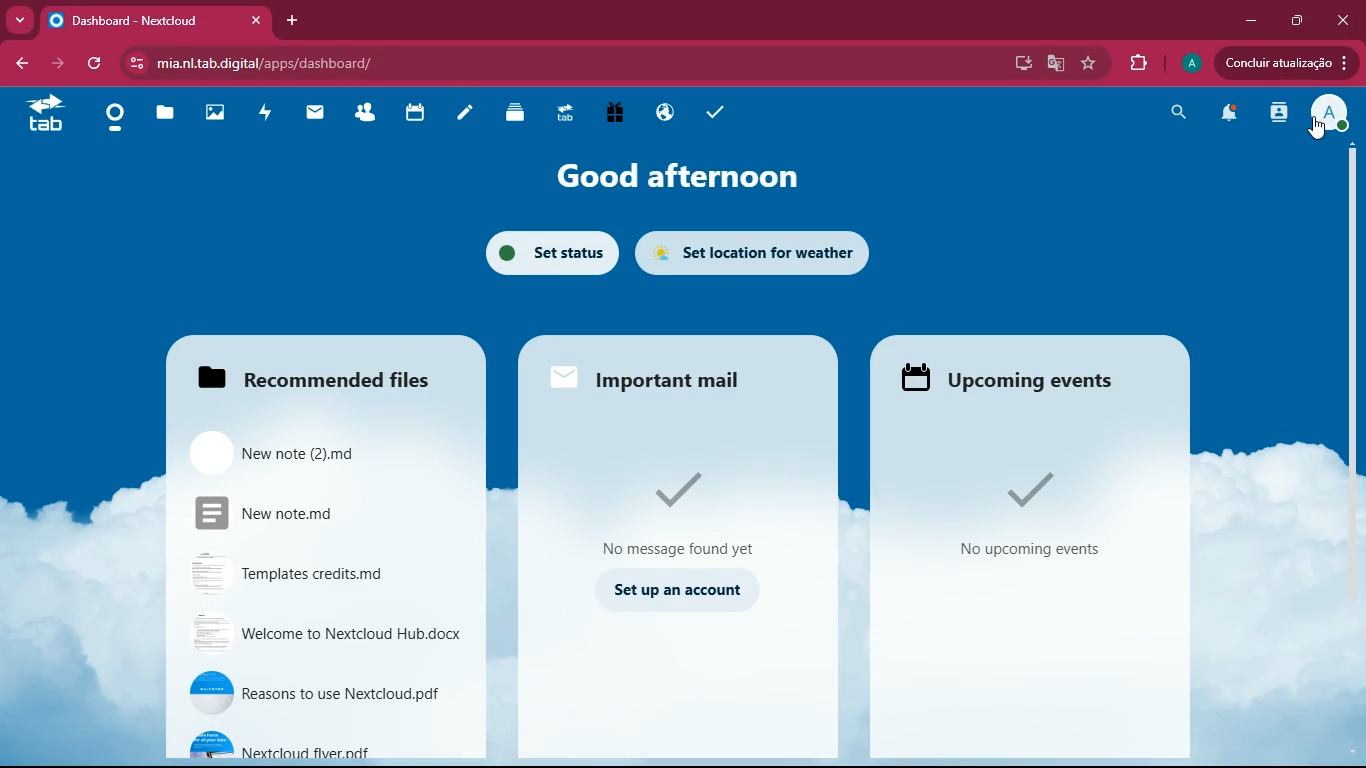 This screenshot has width=1366, height=768. What do you see at coordinates (1346, 310) in the screenshot?
I see `scroll bar` at bounding box center [1346, 310].